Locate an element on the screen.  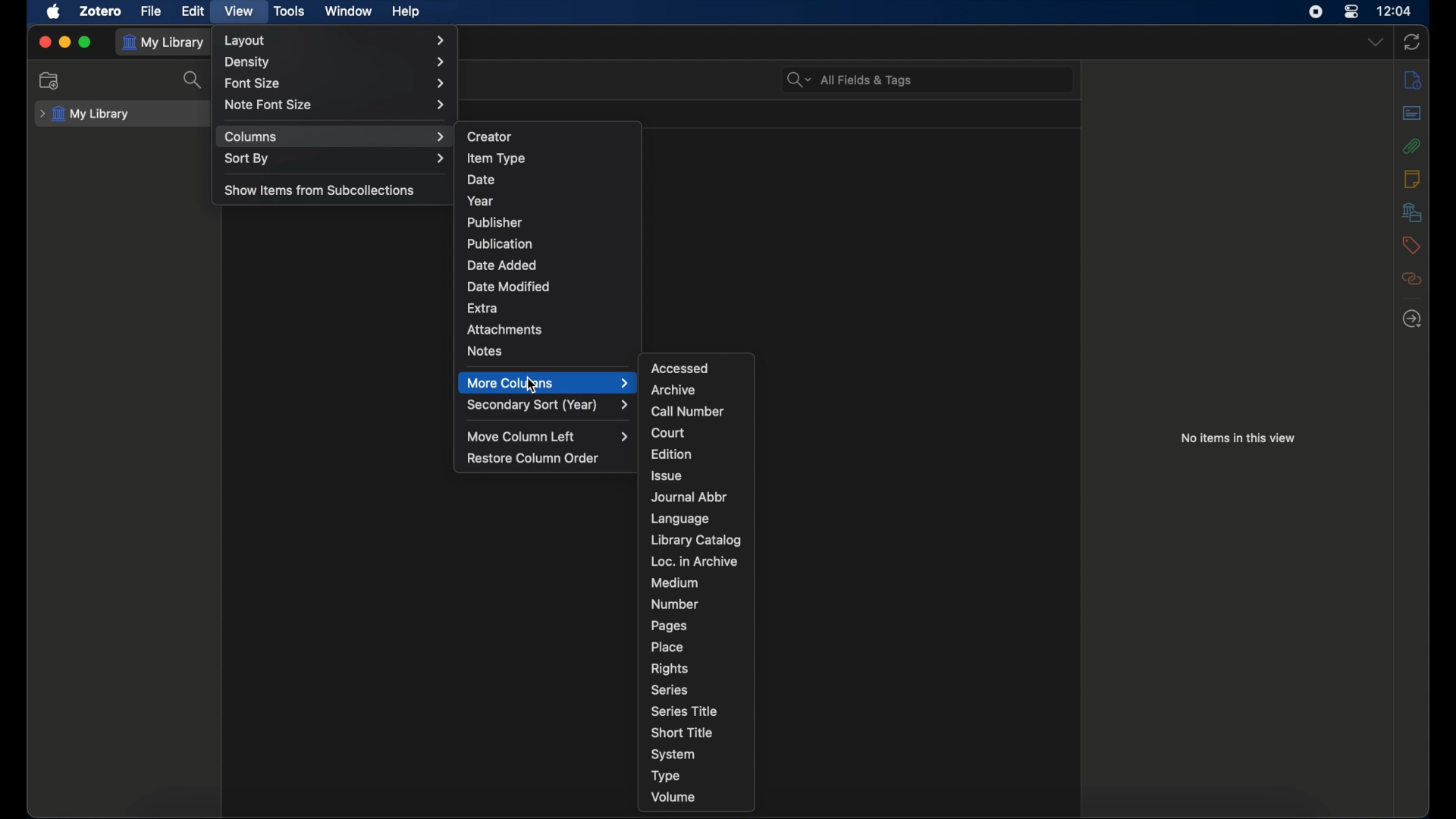
screen recorder is located at coordinates (1316, 12).